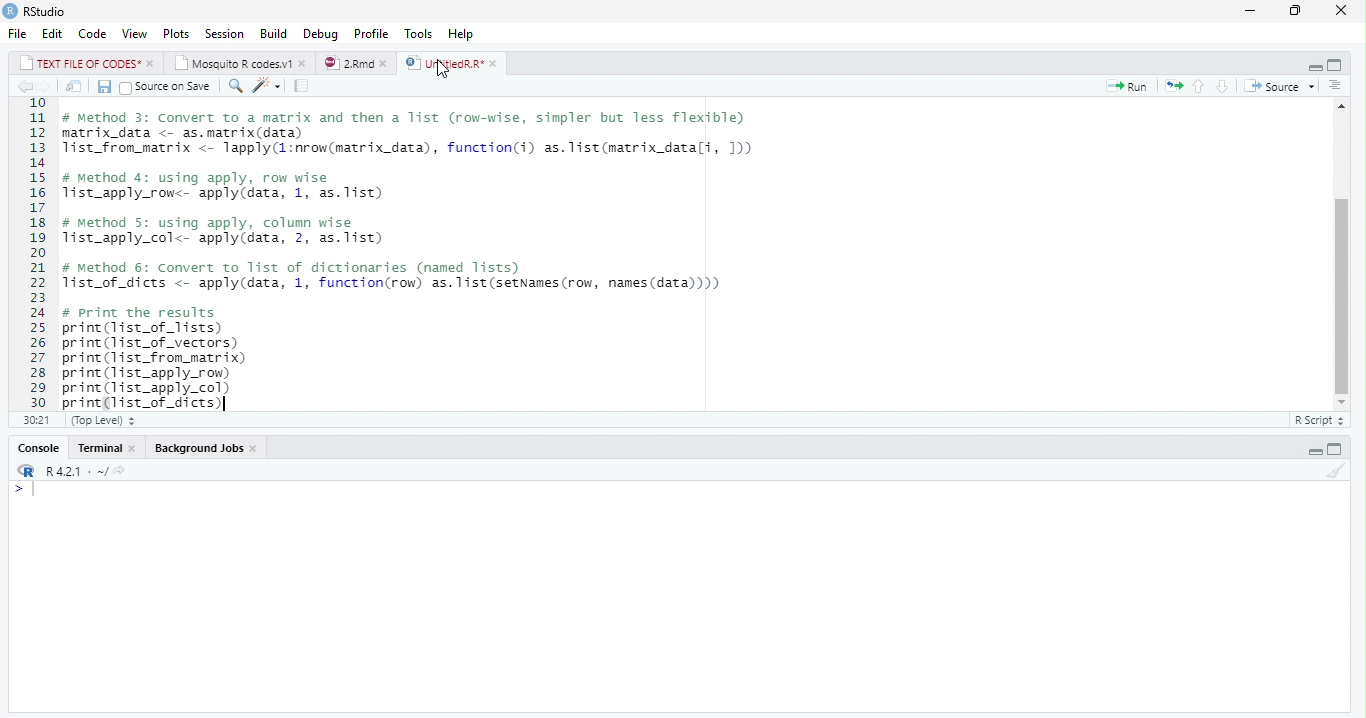  What do you see at coordinates (418, 144) in the screenshot?
I see `code of matrix data ` at bounding box center [418, 144].